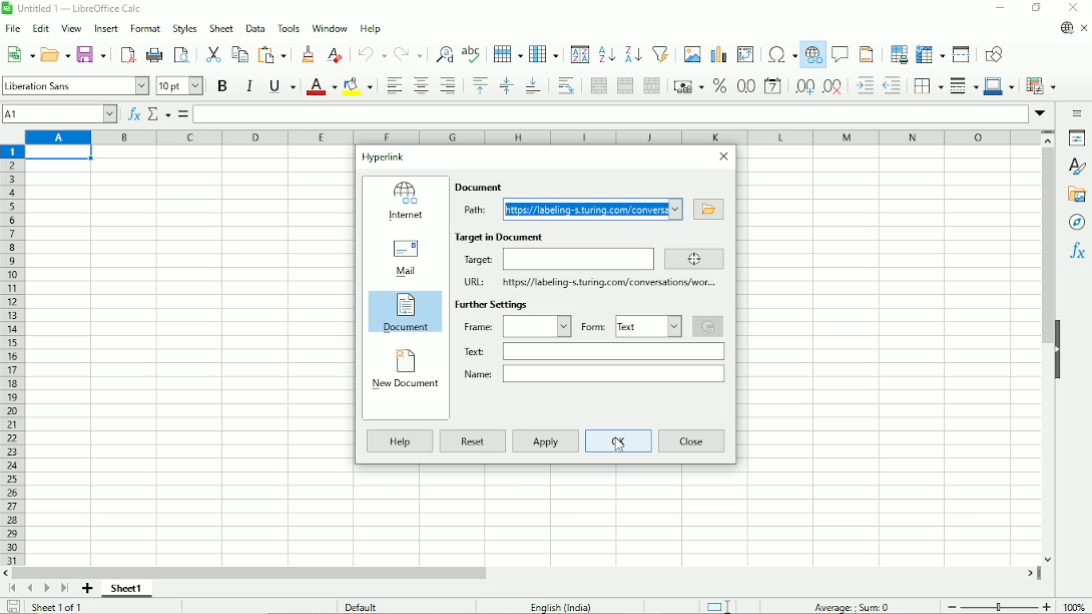 This screenshot has height=614, width=1092. I want to click on Apply, so click(546, 441).